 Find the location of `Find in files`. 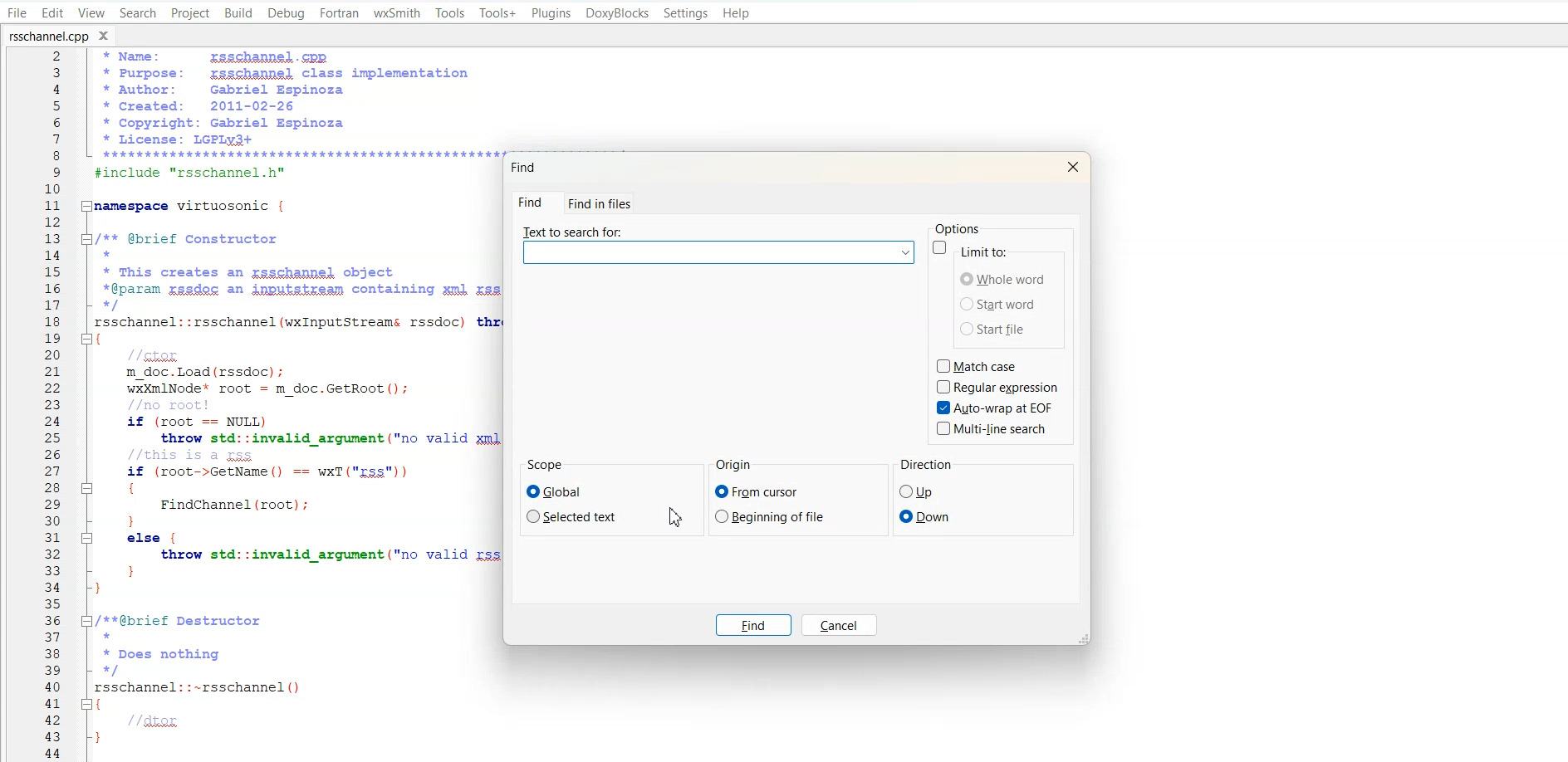

Find in files is located at coordinates (599, 203).